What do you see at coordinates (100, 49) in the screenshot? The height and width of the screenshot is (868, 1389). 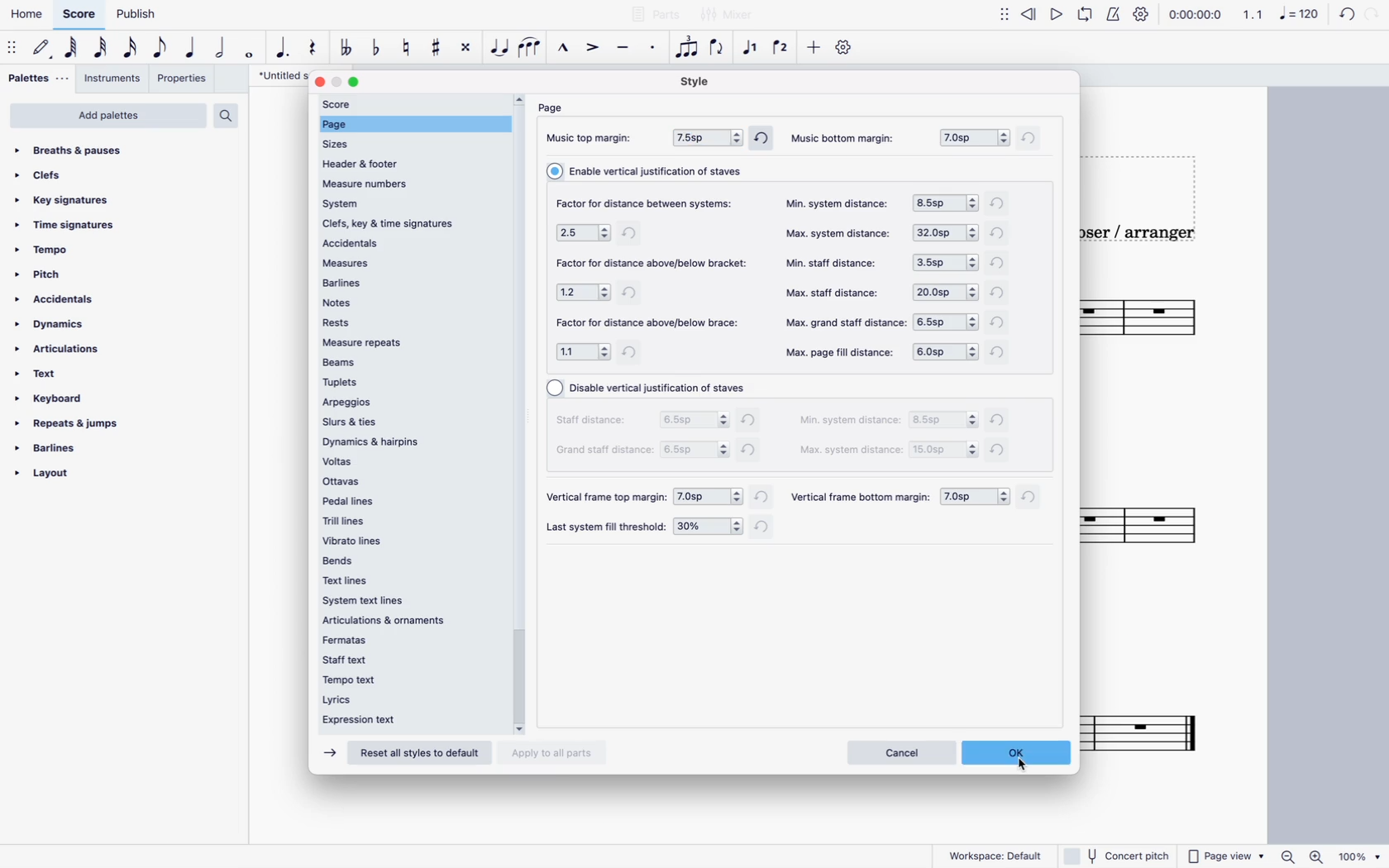 I see `32nd note` at bounding box center [100, 49].